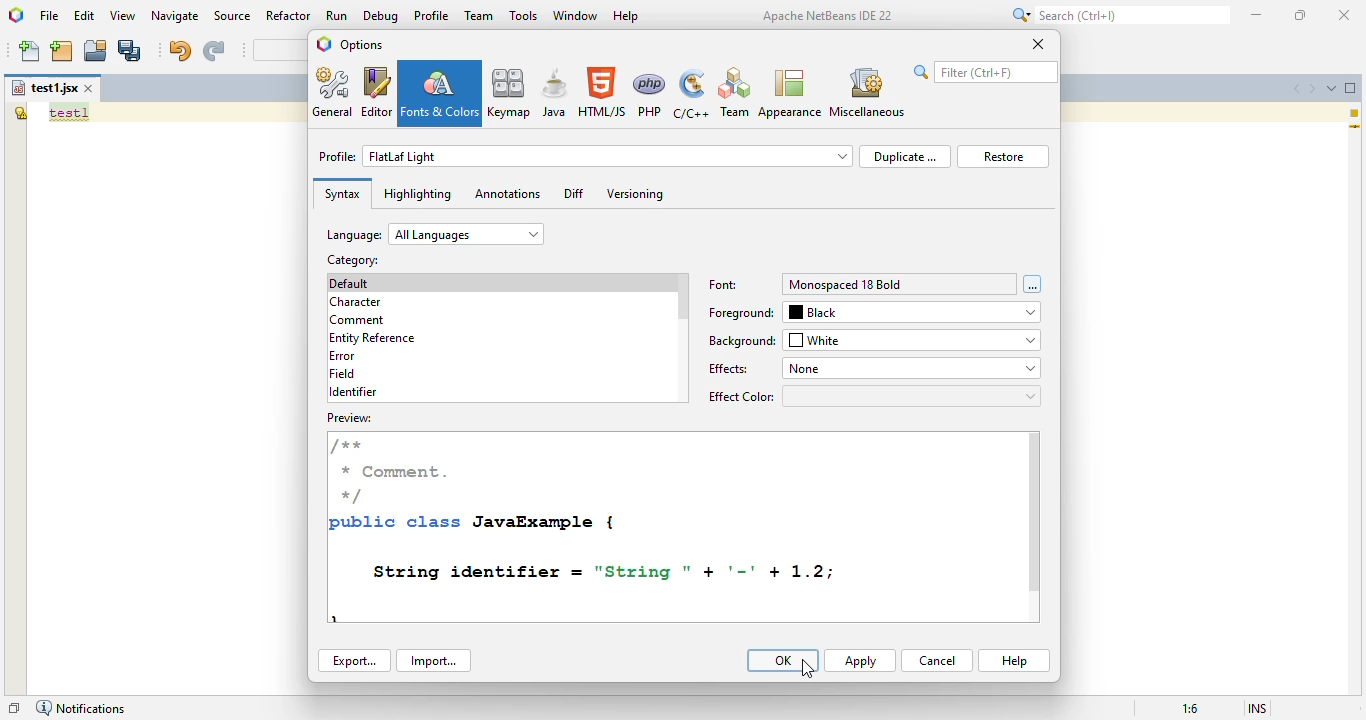 The height and width of the screenshot is (720, 1366). Describe the element at coordinates (377, 92) in the screenshot. I see `editor` at that location.